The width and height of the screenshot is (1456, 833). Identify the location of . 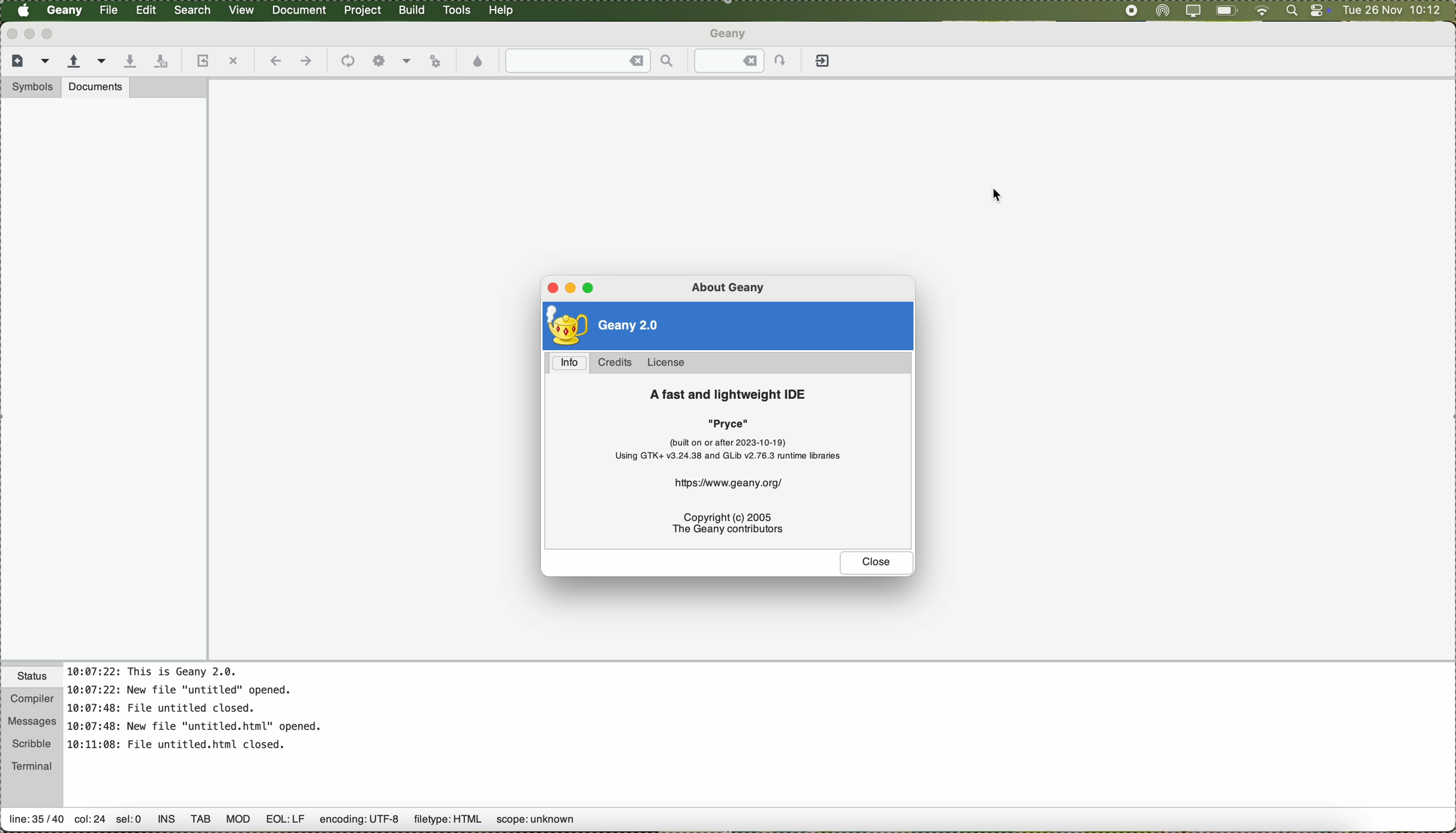
(238, 823).